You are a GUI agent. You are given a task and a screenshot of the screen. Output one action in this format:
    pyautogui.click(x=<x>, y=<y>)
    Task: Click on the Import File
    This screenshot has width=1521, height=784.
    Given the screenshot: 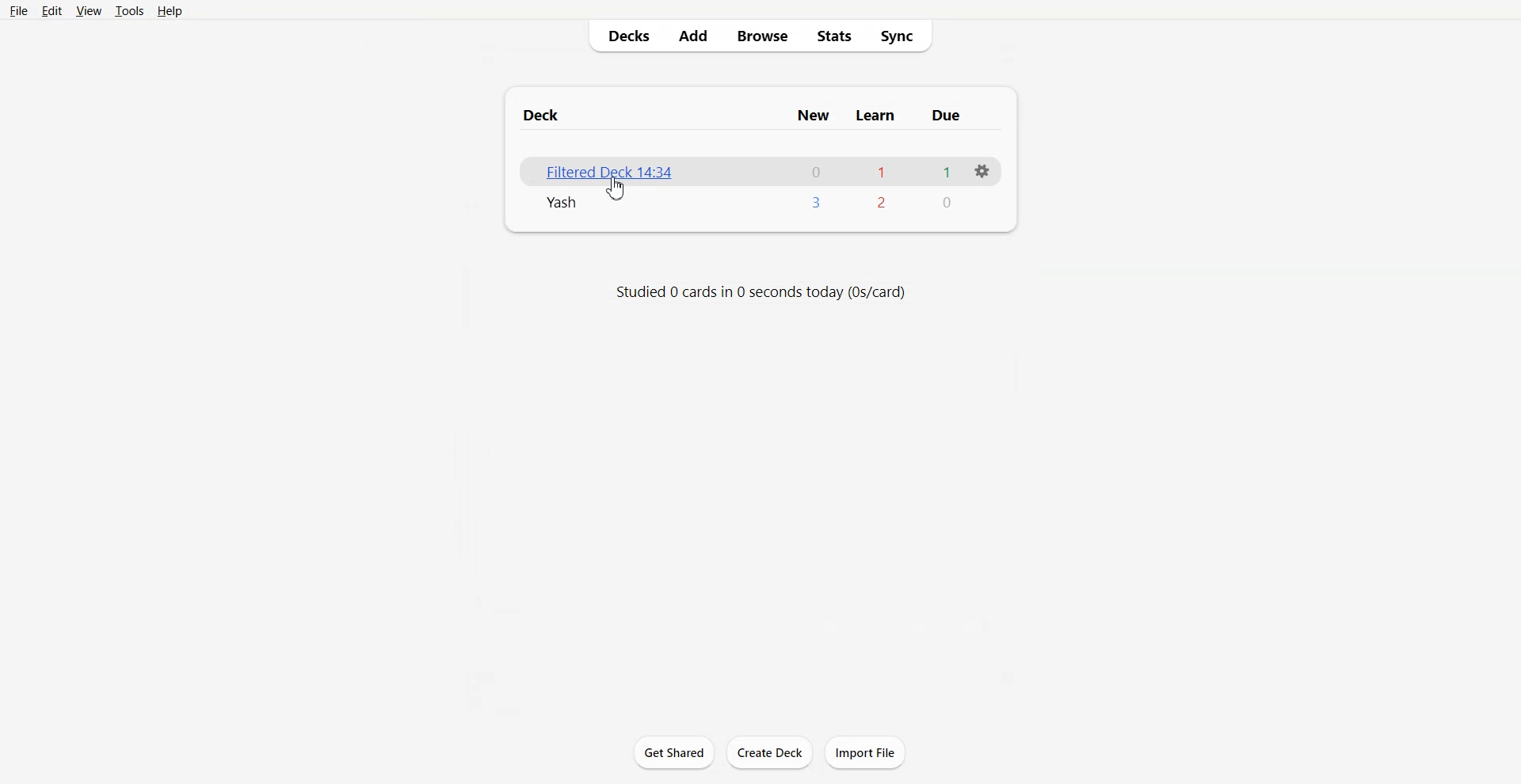 What is the action you would take?
    pyautogui.click(x=865, y=752)
    